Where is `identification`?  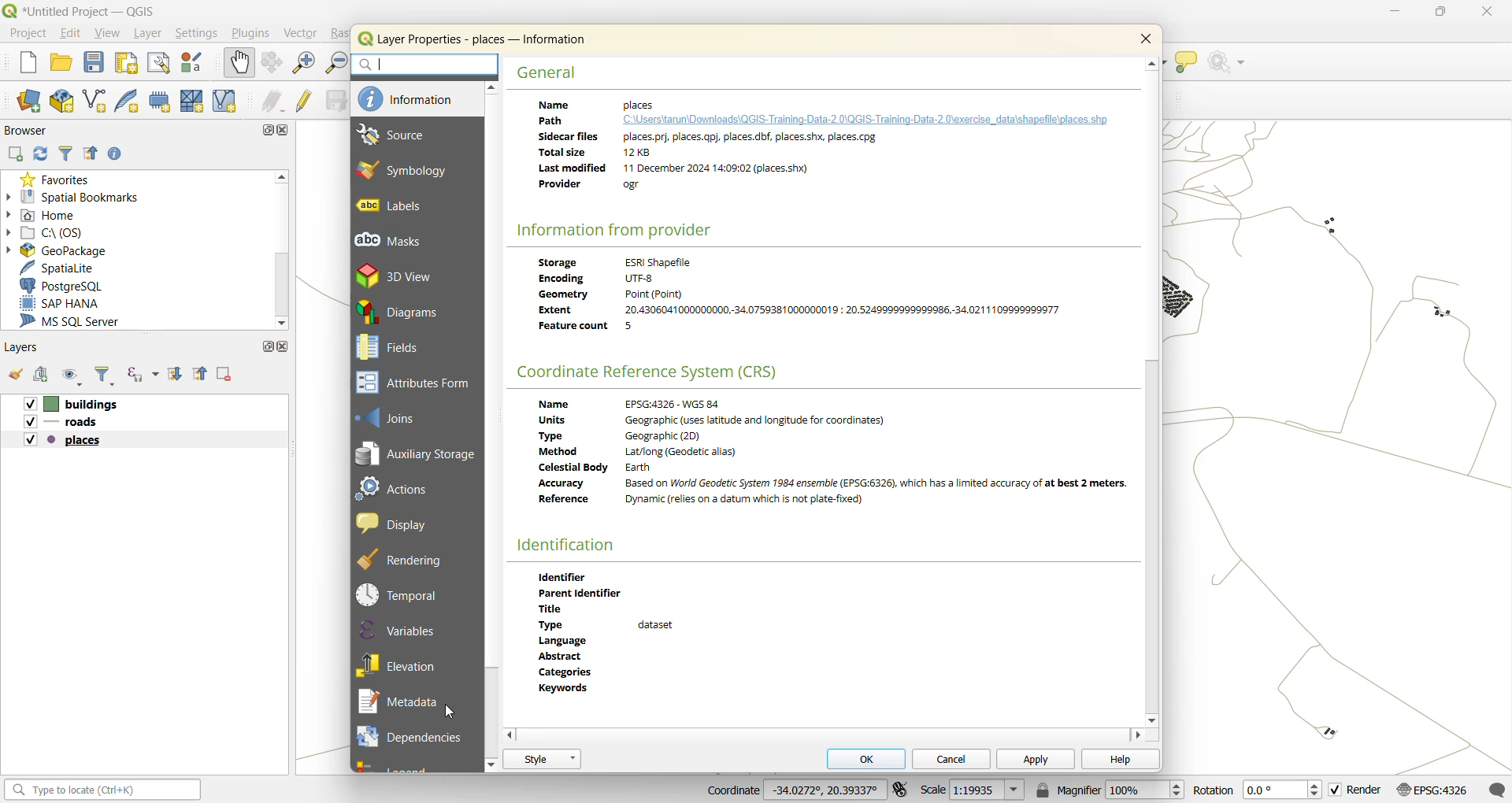
identification is located at coordinates (568, 544).